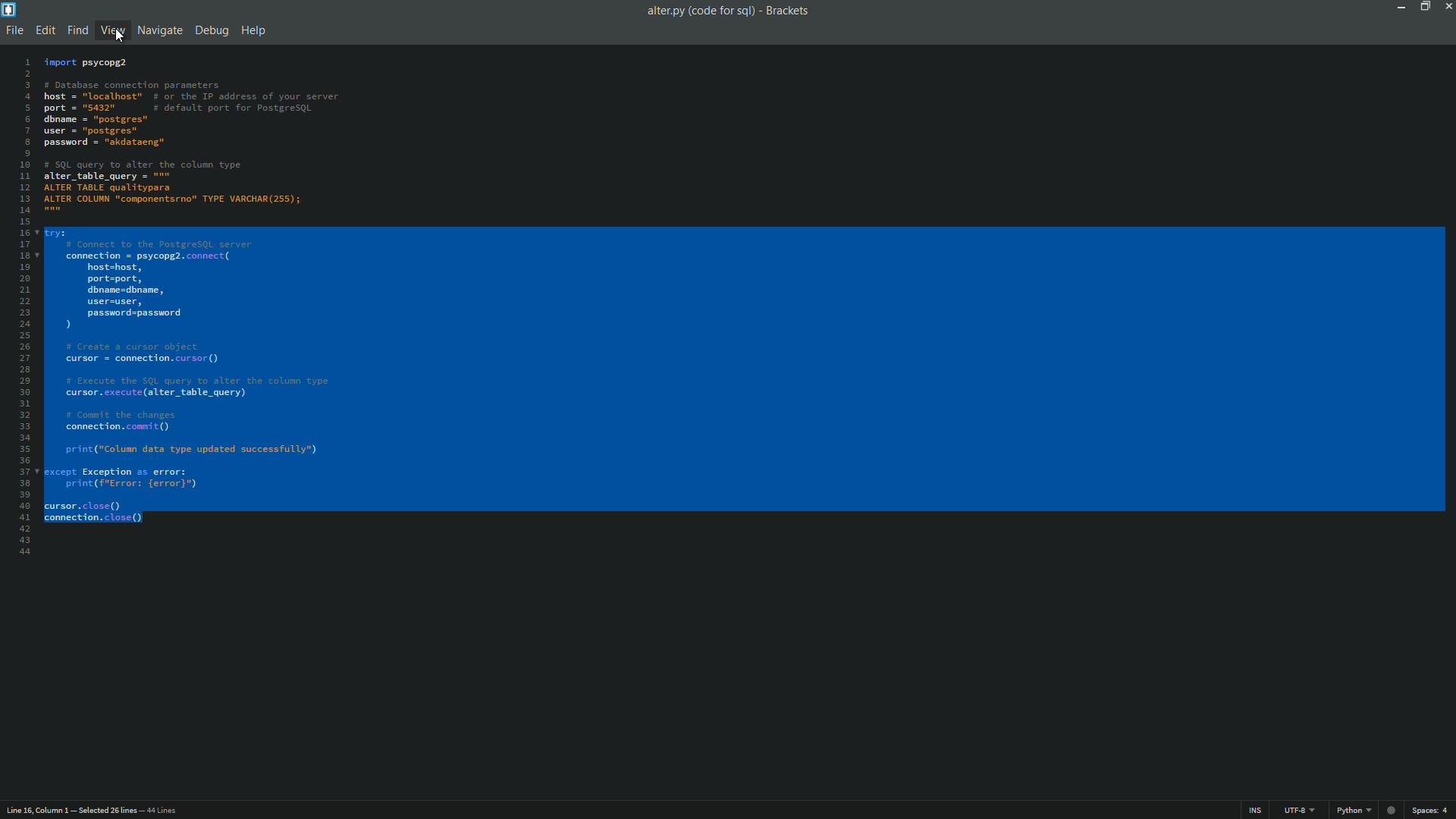 The width and height of the screenshot is (1456, 819). What do you see at coordinates (120, 37) in the screenshot?
I see `cursor` at bounding box center [120, 37].